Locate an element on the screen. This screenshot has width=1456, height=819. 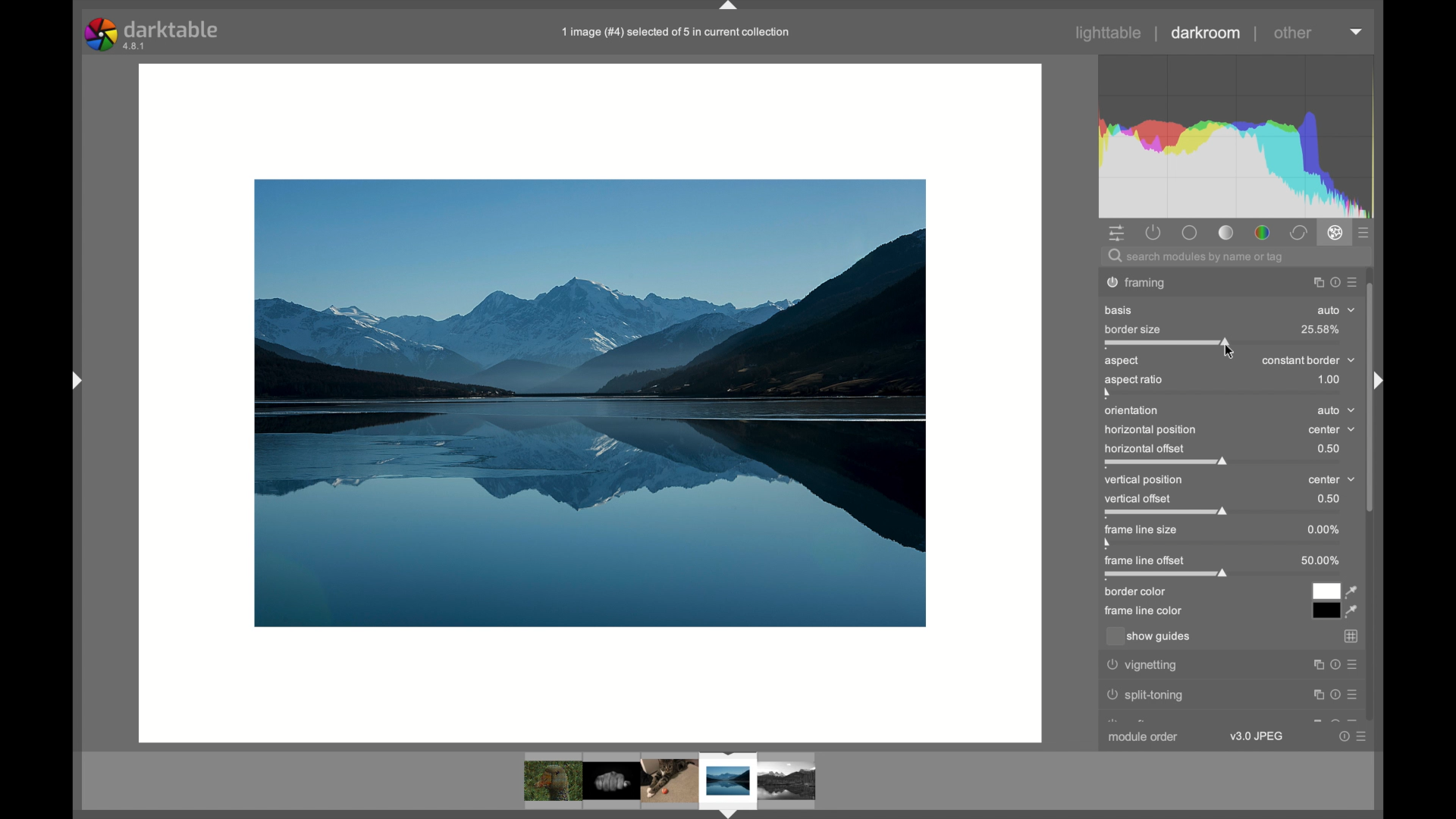
darktable is located at coordinates (155, 34).